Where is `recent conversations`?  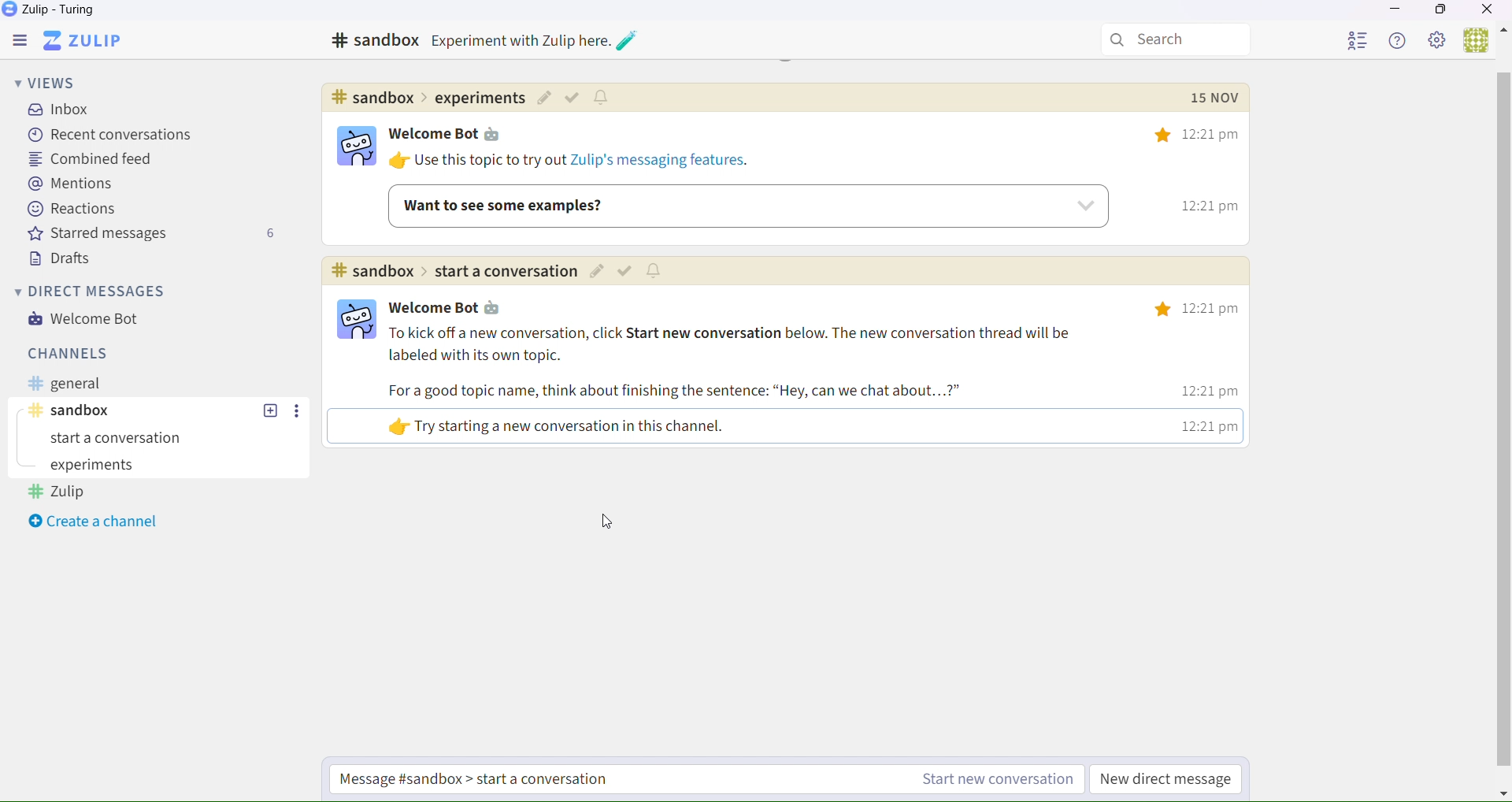
recent conversations is located at coordinates (110, 135).